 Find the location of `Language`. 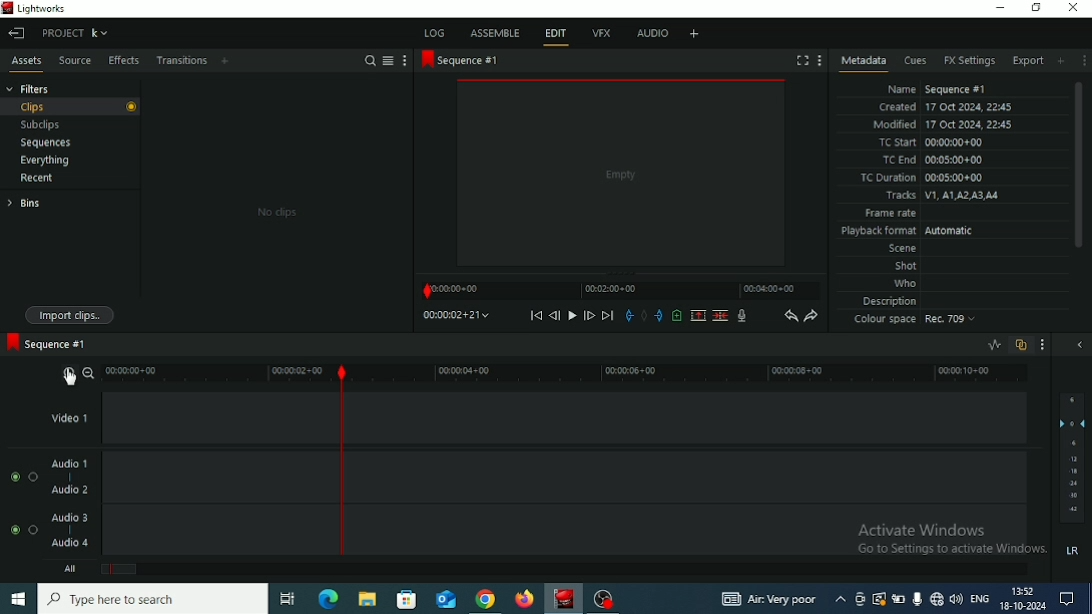

Language is located at coordinates (979, 597).